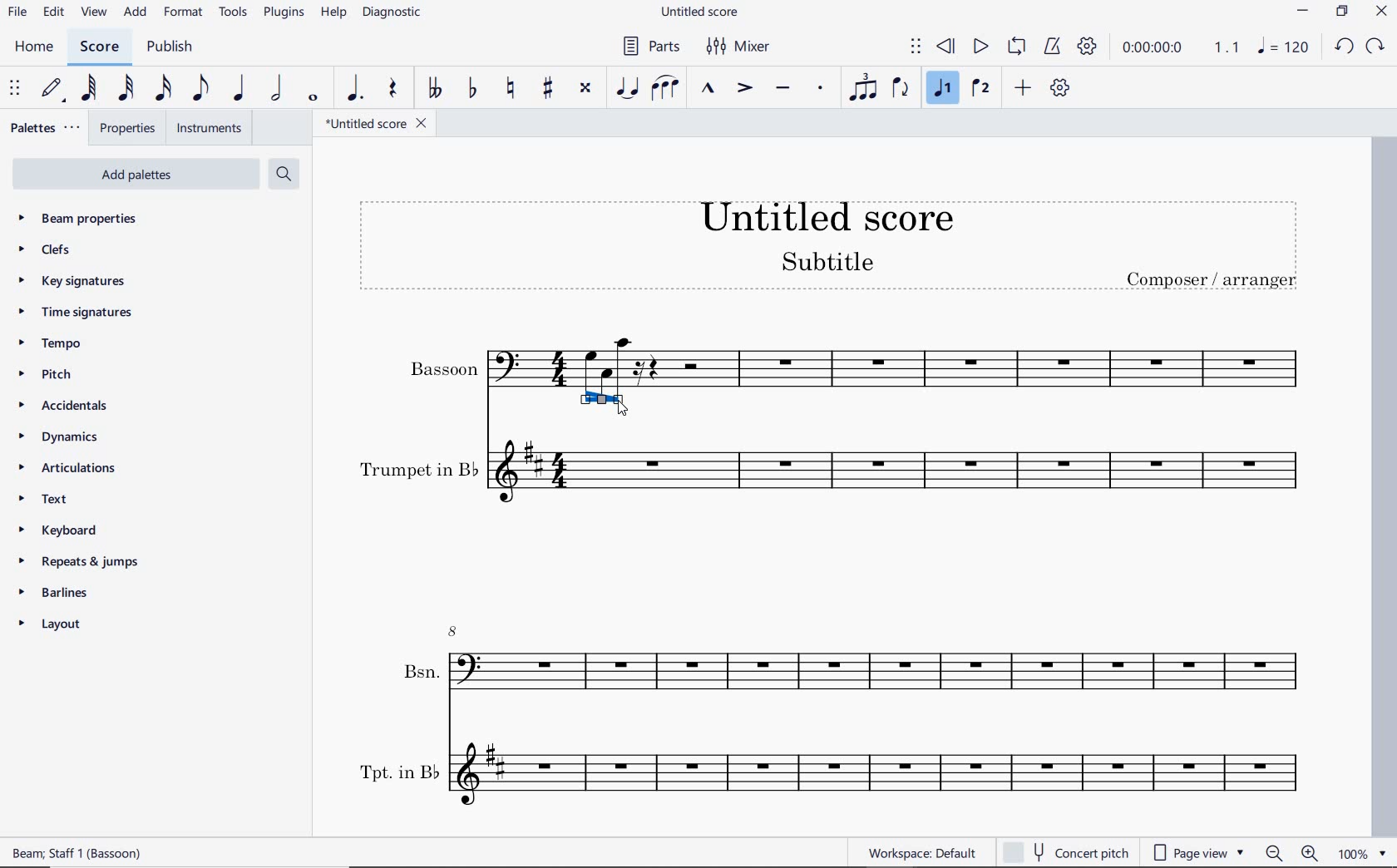 The height and width of the screenshot is (868, 1397). Describe the element at coordinates (44, 128) in the screenshot. I see `palettes` at that location.